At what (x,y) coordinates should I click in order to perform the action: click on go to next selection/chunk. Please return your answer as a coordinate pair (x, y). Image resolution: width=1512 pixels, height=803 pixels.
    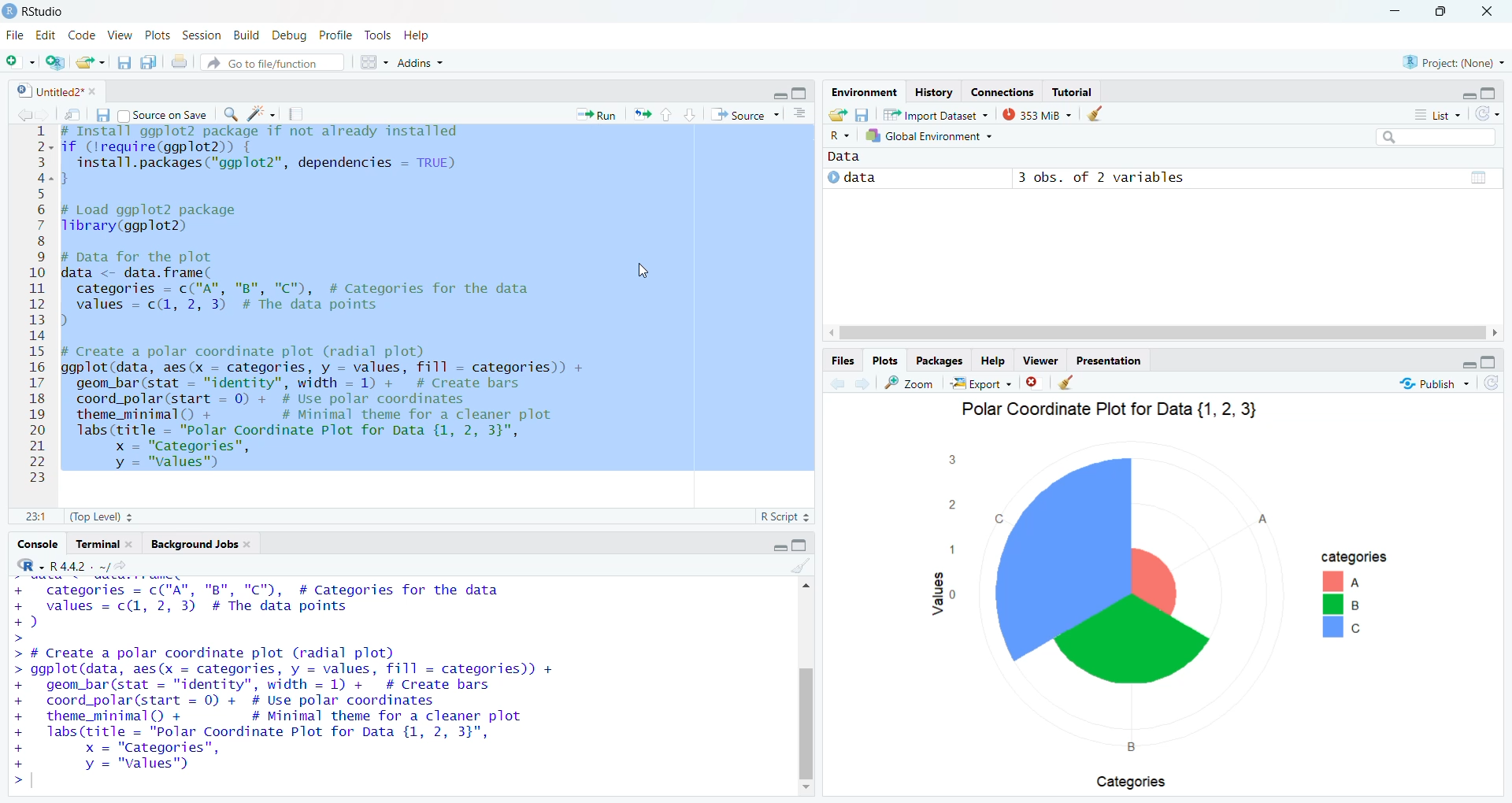
    Looking at the image, I should click on (688, 115).